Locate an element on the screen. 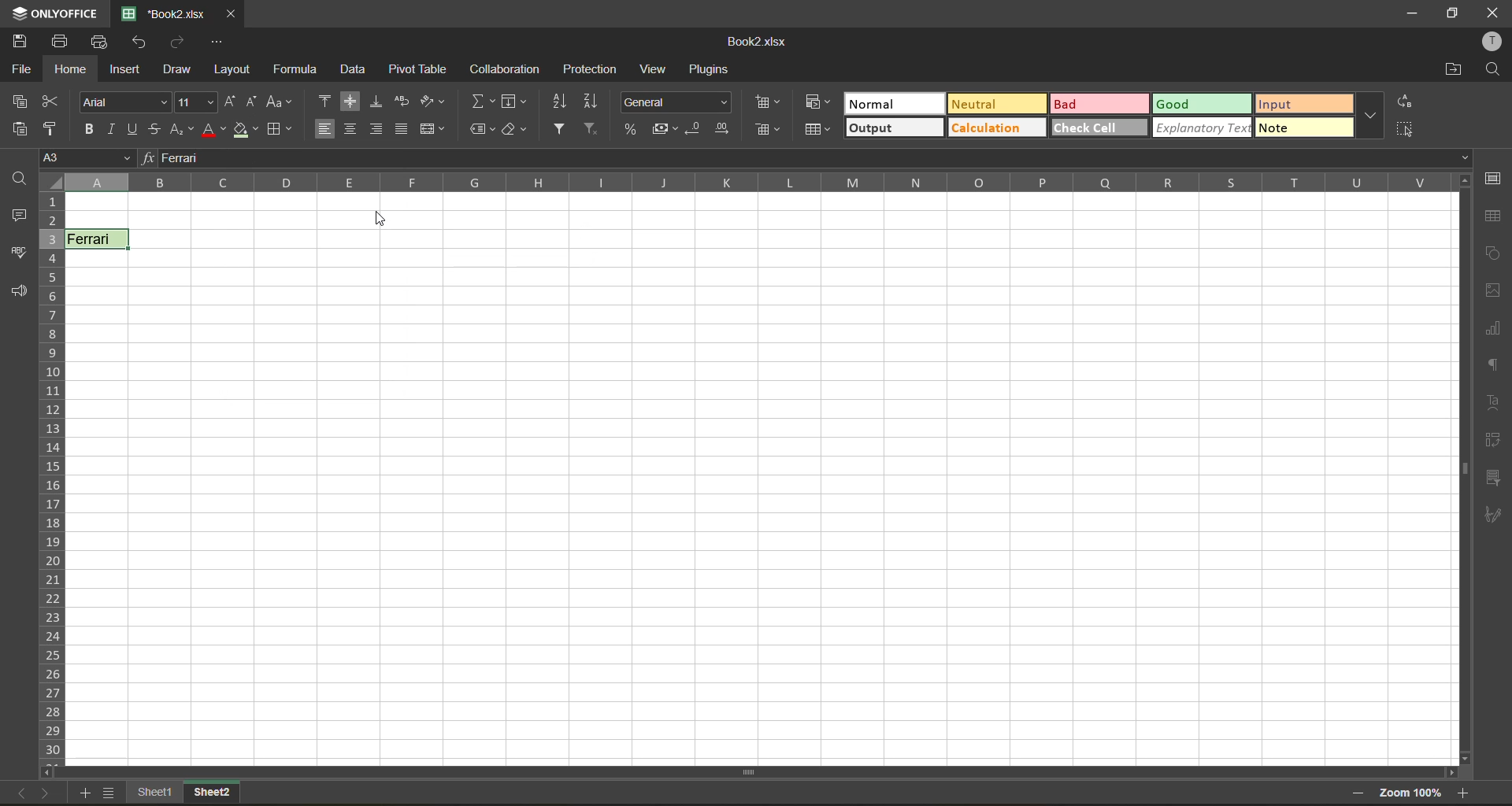 The height and width of the screenshot is (806, 1512). align right is located at coordinates (375, 128).